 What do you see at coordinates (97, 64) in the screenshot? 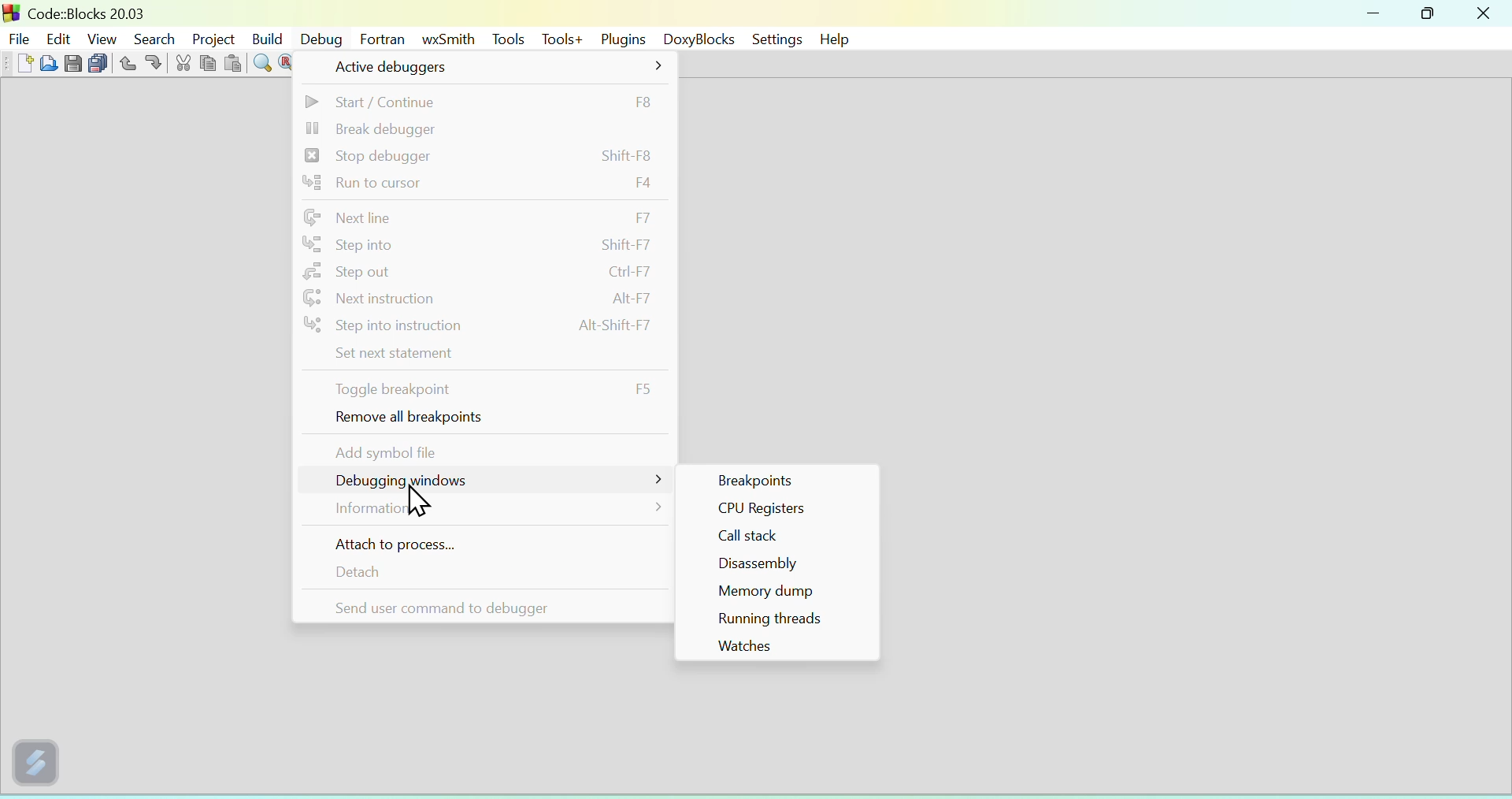
I see `save all` at bounding box center [97, 64].